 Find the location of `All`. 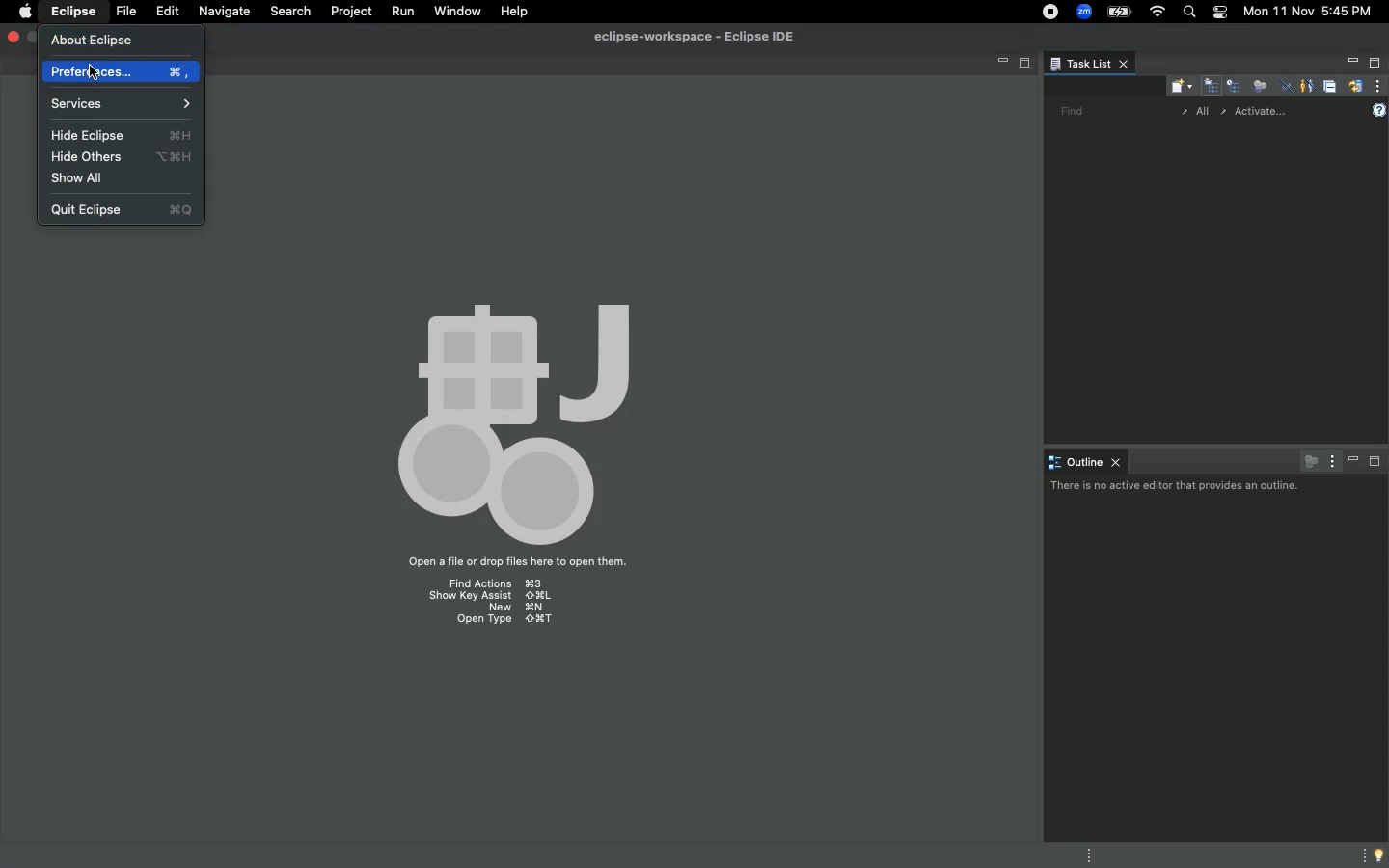

All is located at coordinates (1197, 112).